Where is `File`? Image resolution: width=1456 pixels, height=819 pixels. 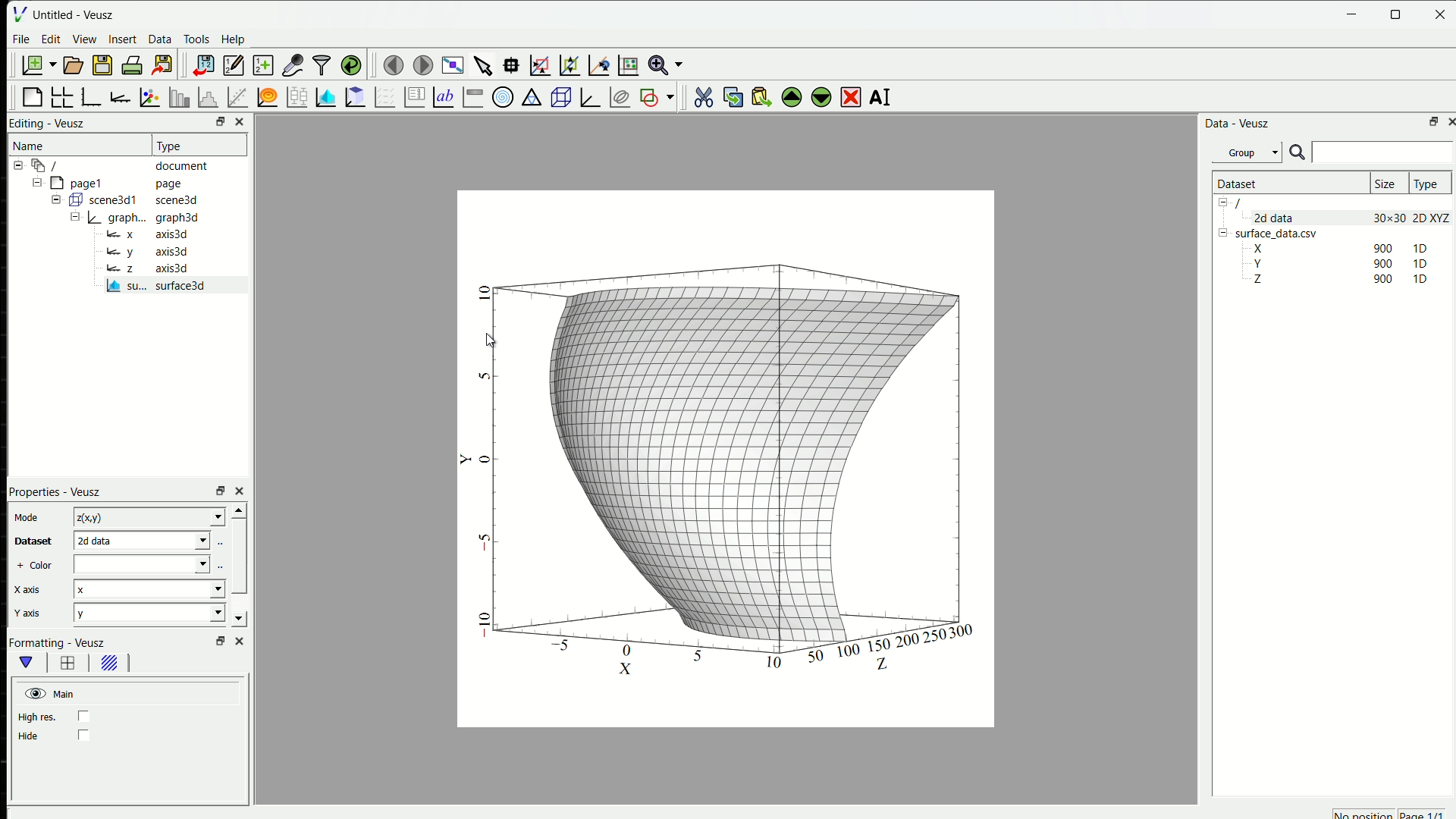 File is located at coordinates (22, 39).